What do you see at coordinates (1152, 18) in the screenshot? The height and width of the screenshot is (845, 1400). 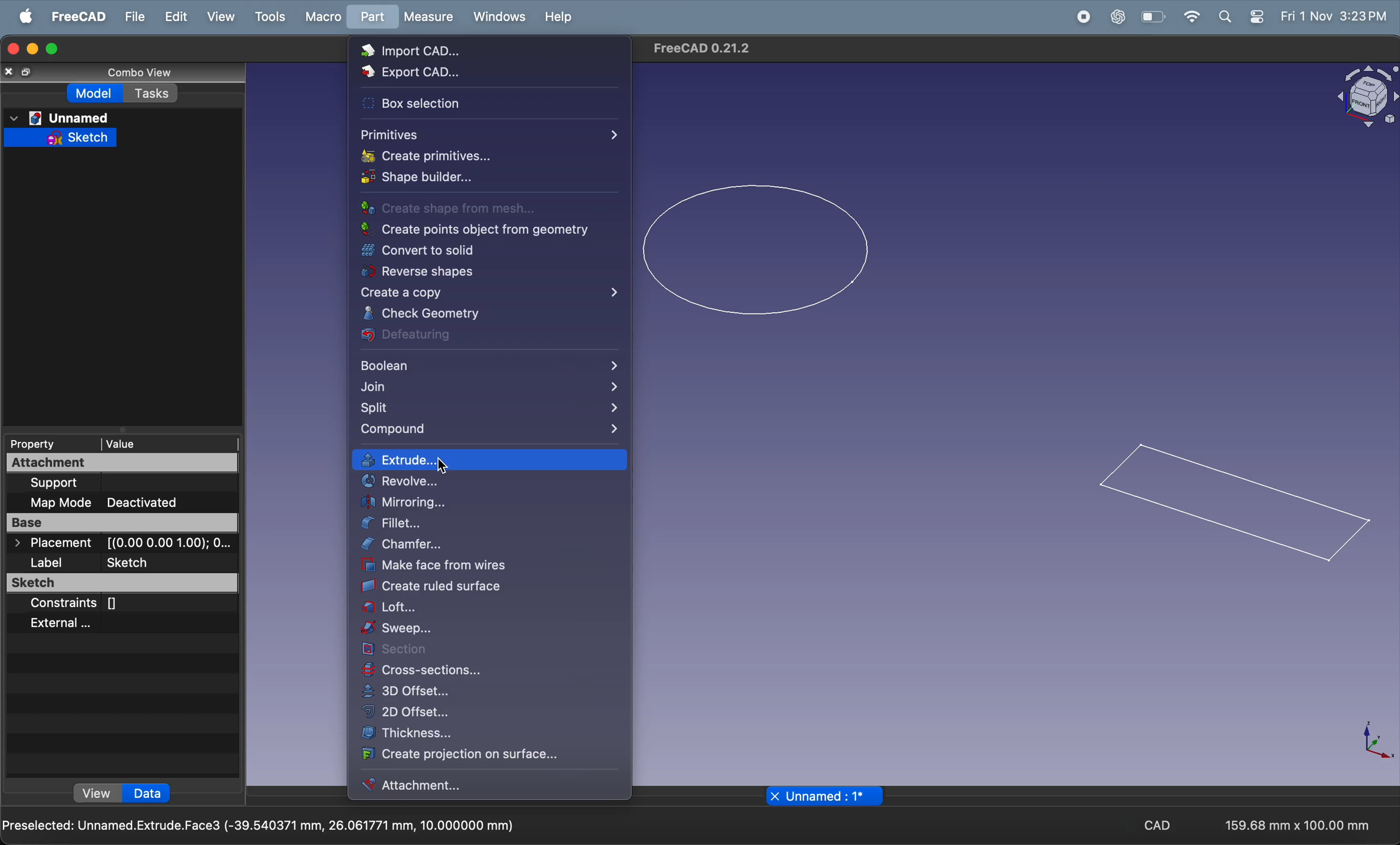 I see `battery` at bounding box center [1152, 18].